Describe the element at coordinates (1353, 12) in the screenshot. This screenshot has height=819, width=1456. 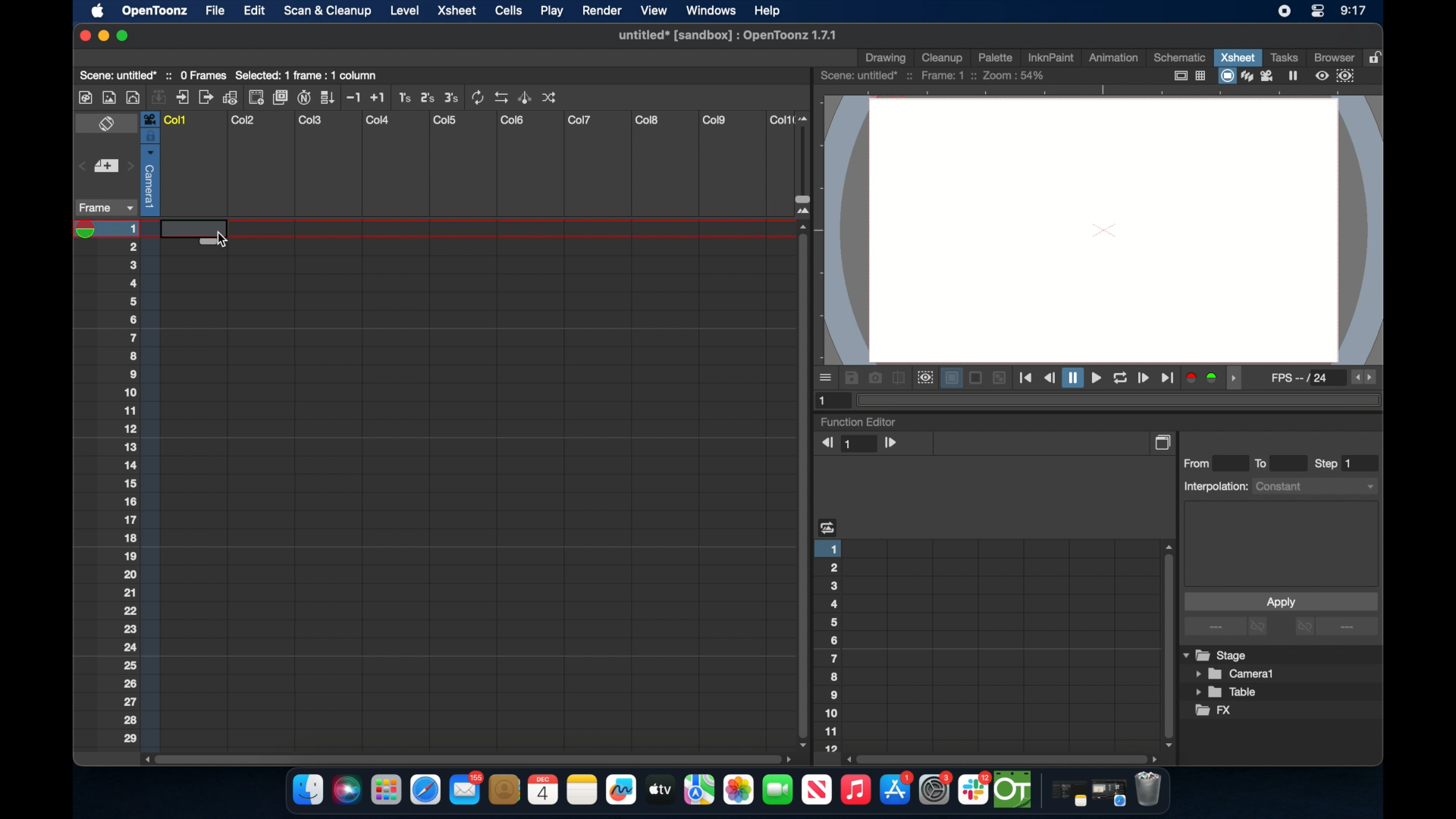
I see `time` at that location.